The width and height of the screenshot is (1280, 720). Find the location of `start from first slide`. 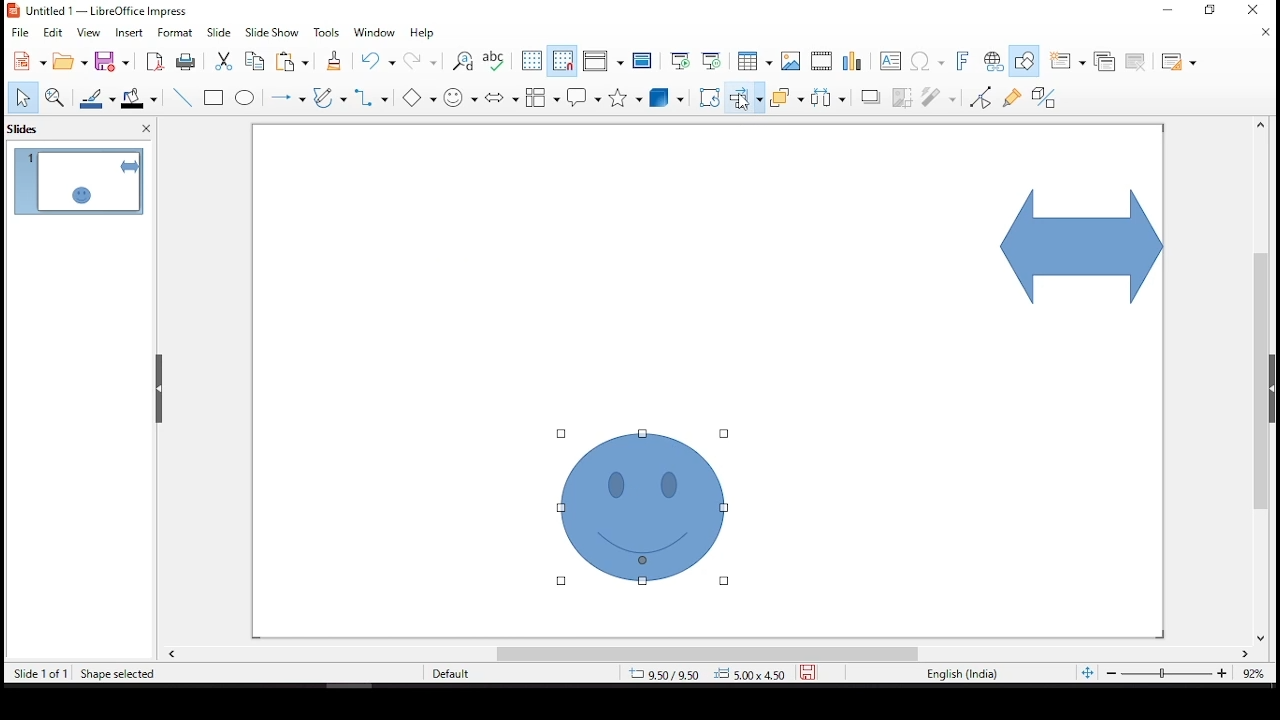

start from first slide is located at coordinates (680, 60).